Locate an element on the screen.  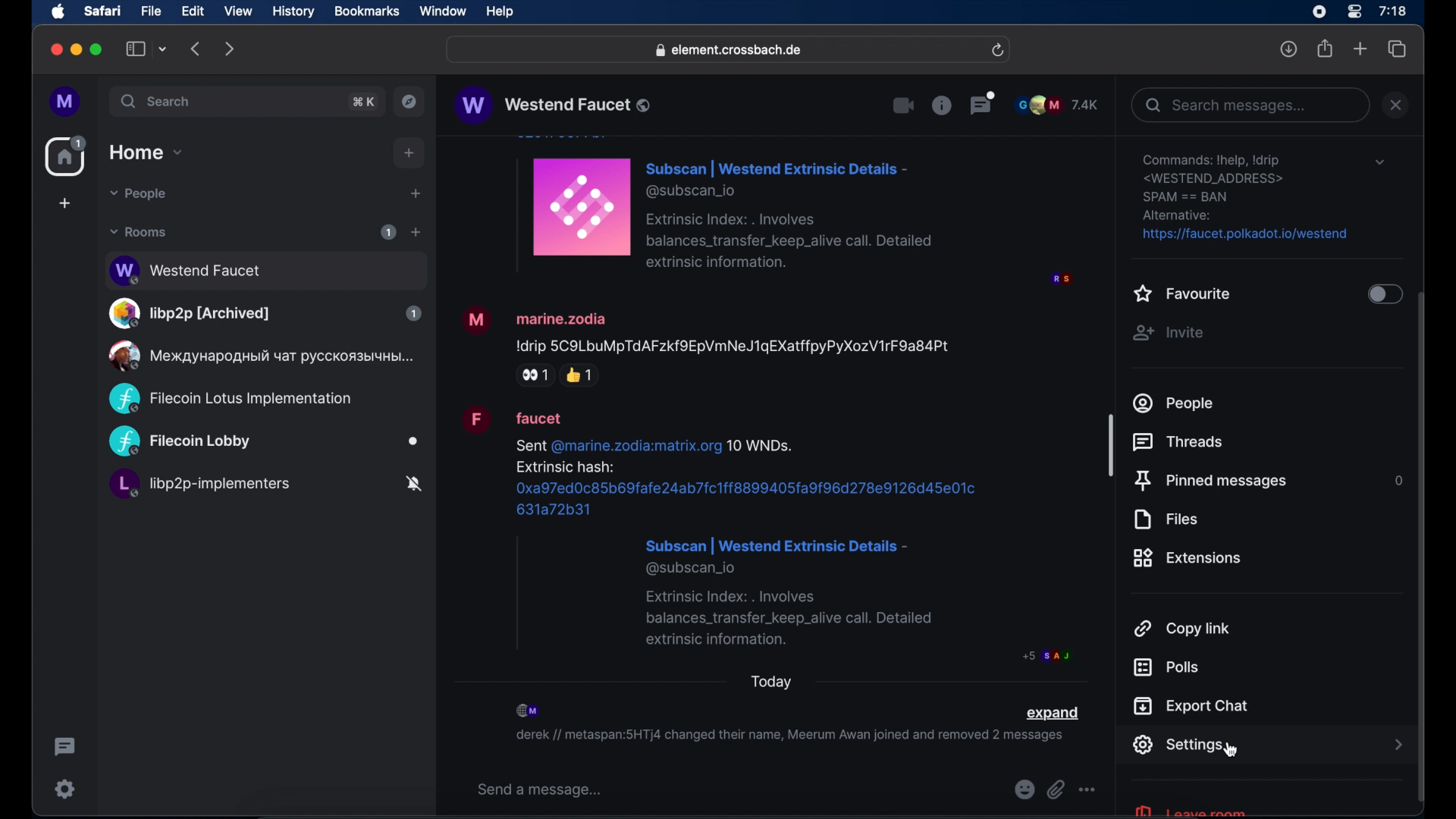
invite is located at coordinates (1168, 333).